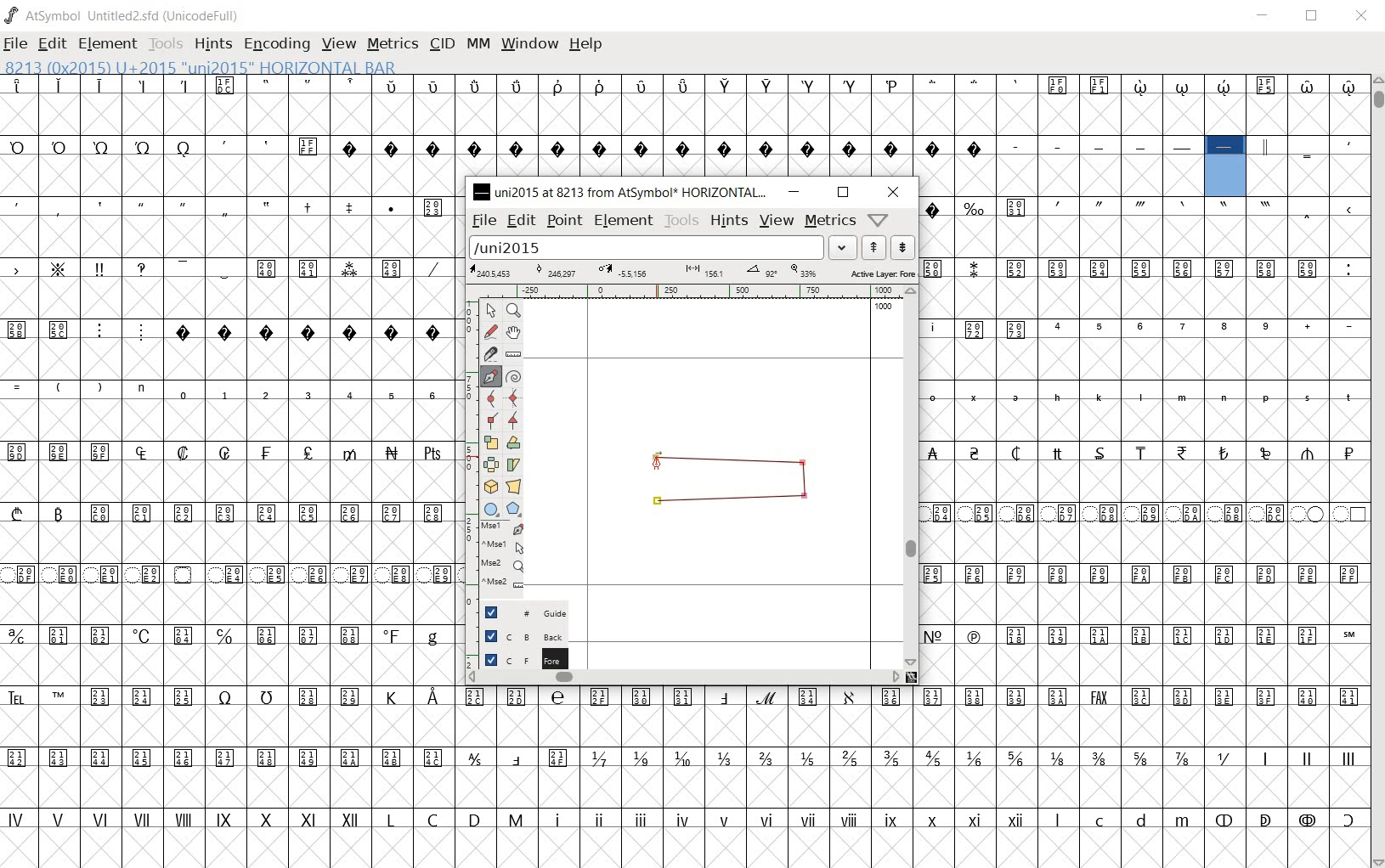 The height and width of the screenshot is (868, 1385). What do you see at coordinates (902, 247) in the screenshot?
I see `show the previous word on the list` at bounding box center [902, 247].